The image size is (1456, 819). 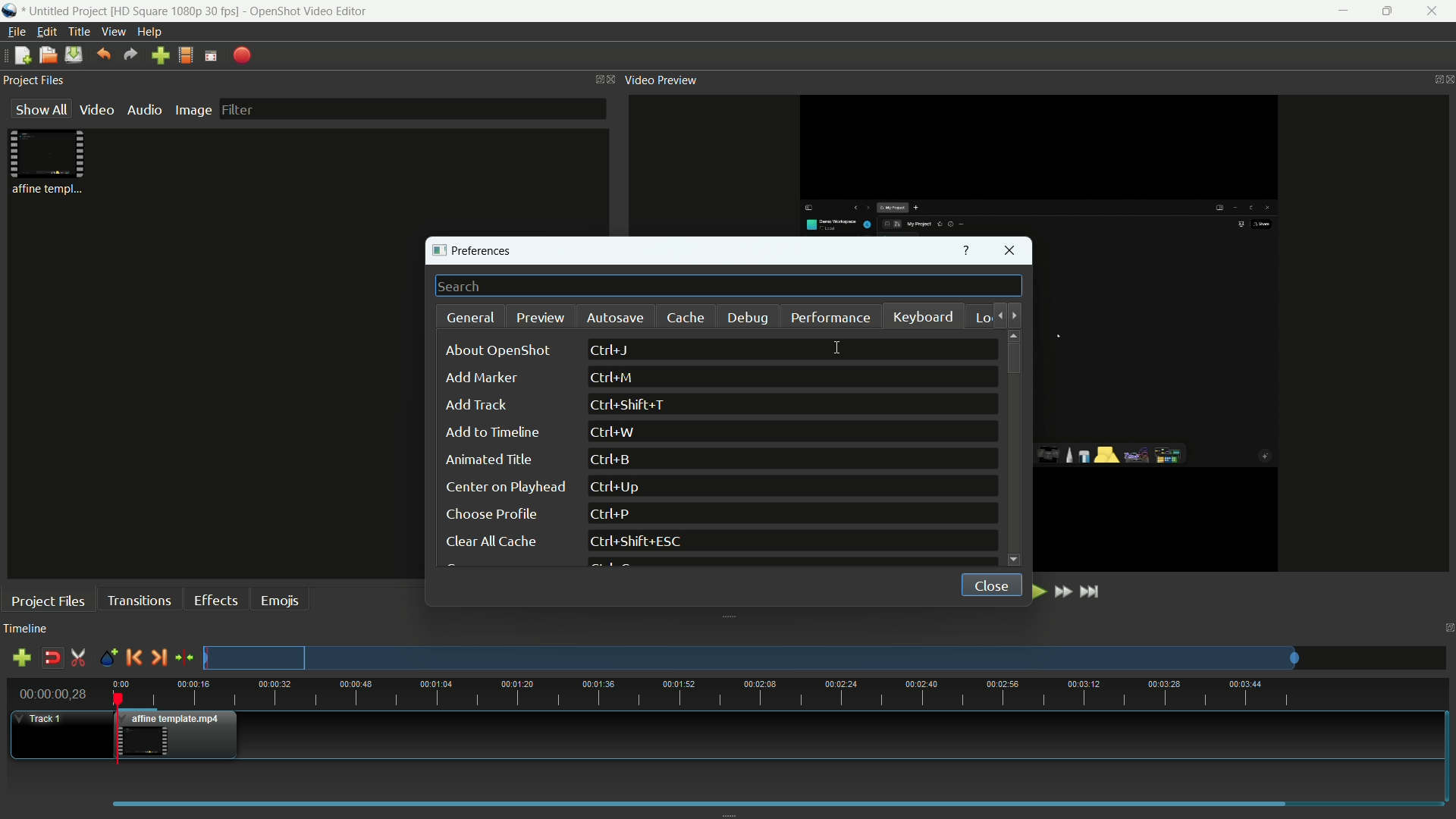 What do you see at coordinates (966, 252) in the screenshot?
I see `get help` at bounding box center [966, 252].